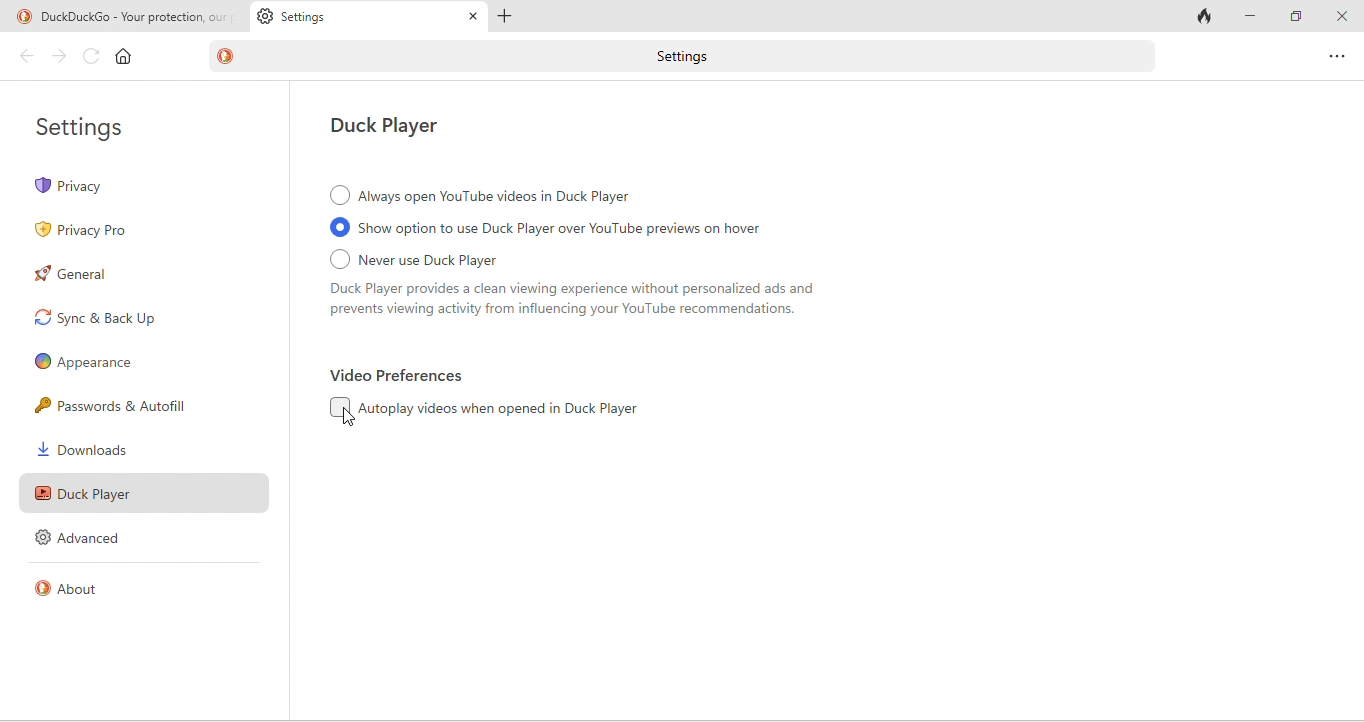  What do you see at coordinates (124, 17) in the screenshot?
I see `DuckDuckkGo-Your protection` at bounding box center [124, 17].